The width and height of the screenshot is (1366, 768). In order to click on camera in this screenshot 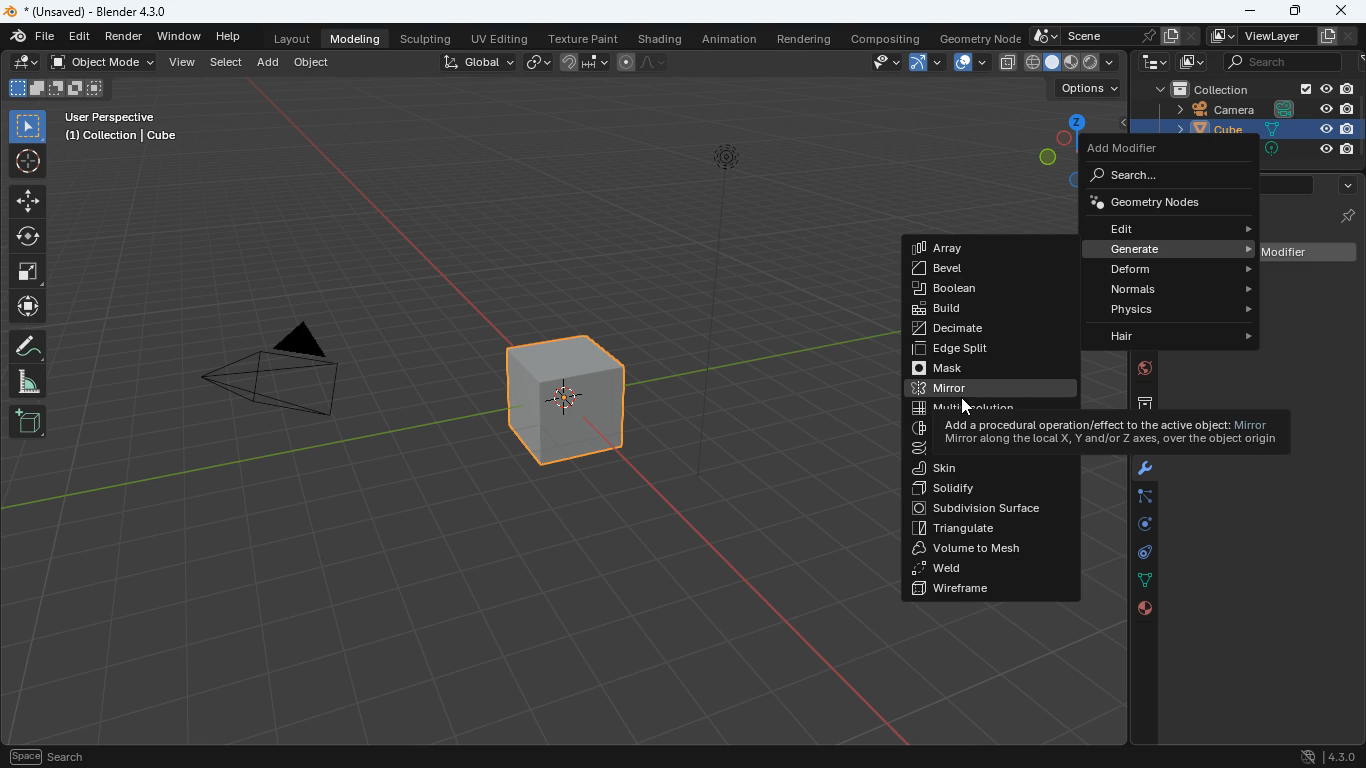, I will do `click(1200, 108)`.